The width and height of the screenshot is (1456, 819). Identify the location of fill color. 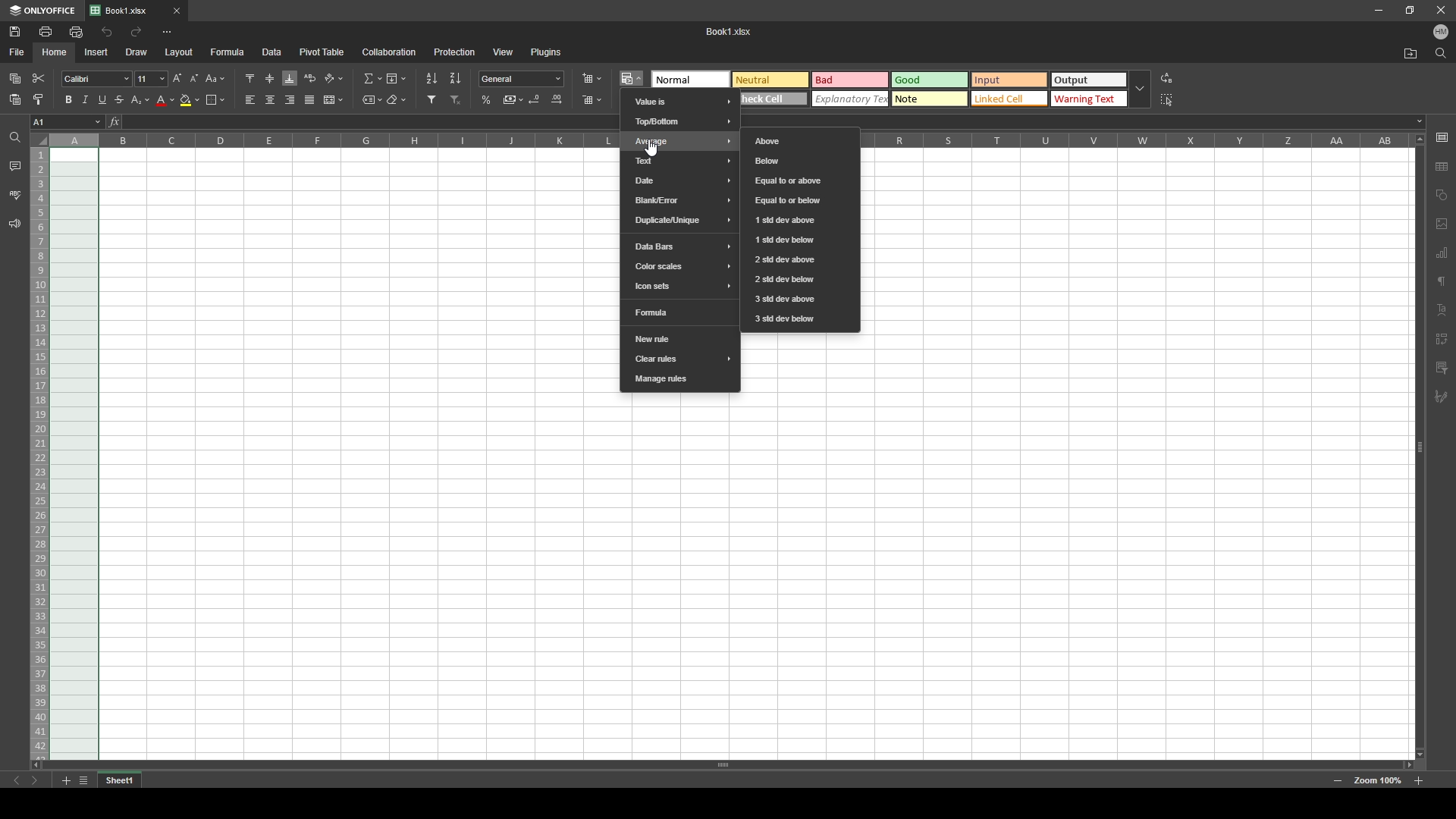
(190, 100).